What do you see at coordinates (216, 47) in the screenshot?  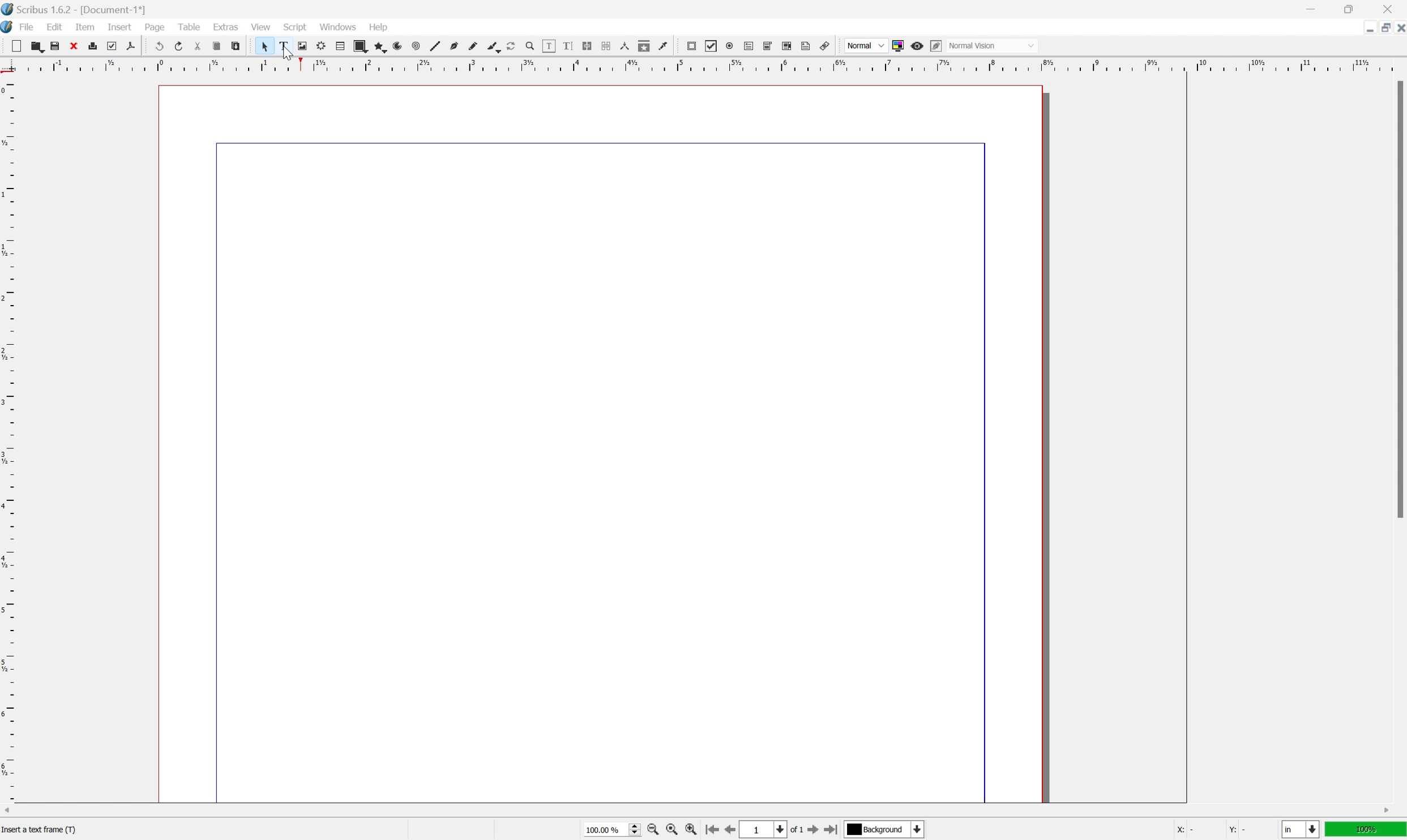 I see `copy` at bounding box center [216, 47].